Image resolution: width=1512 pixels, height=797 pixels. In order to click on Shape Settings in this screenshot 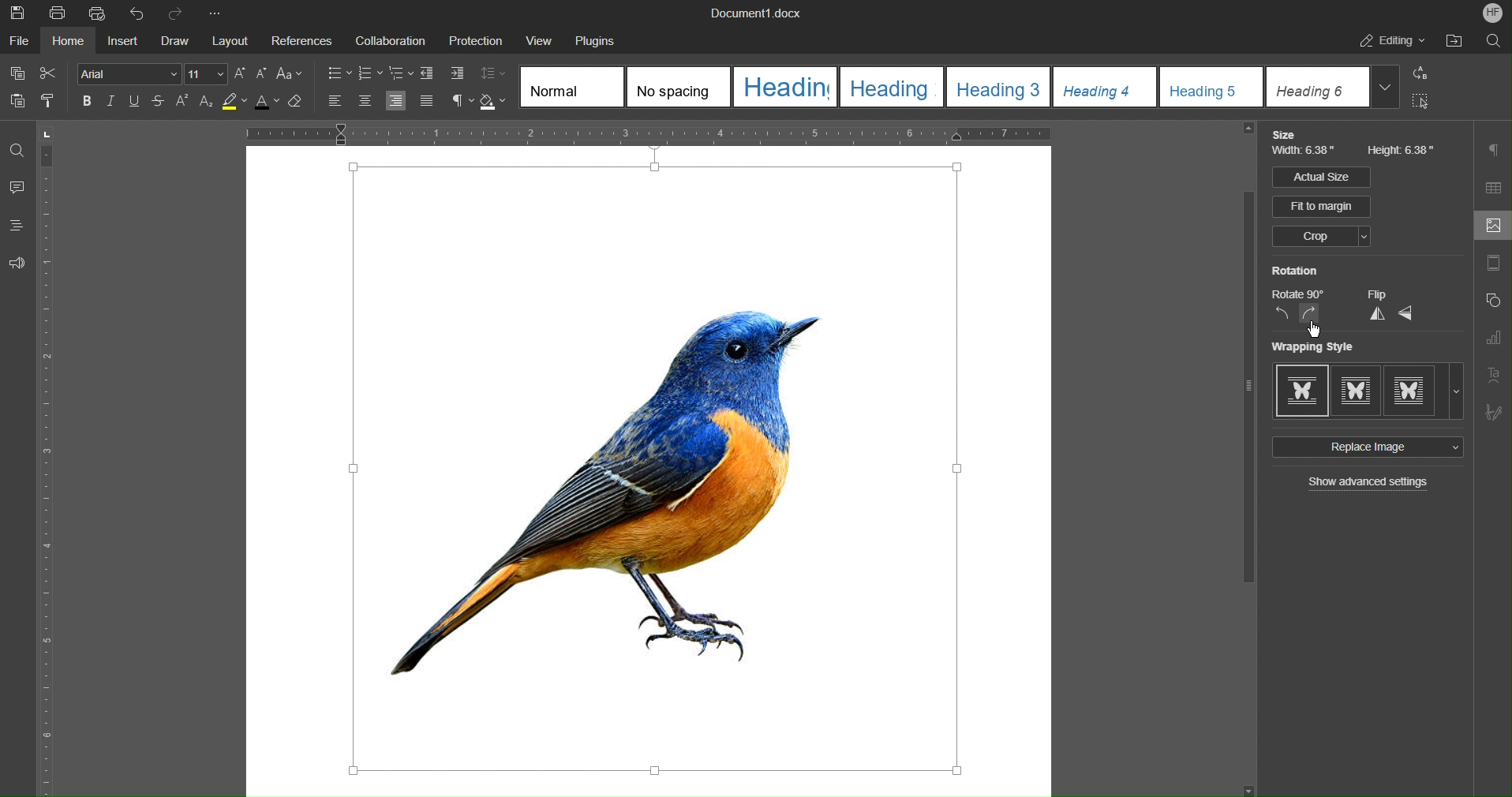, I will do `click(1494, 301)`.